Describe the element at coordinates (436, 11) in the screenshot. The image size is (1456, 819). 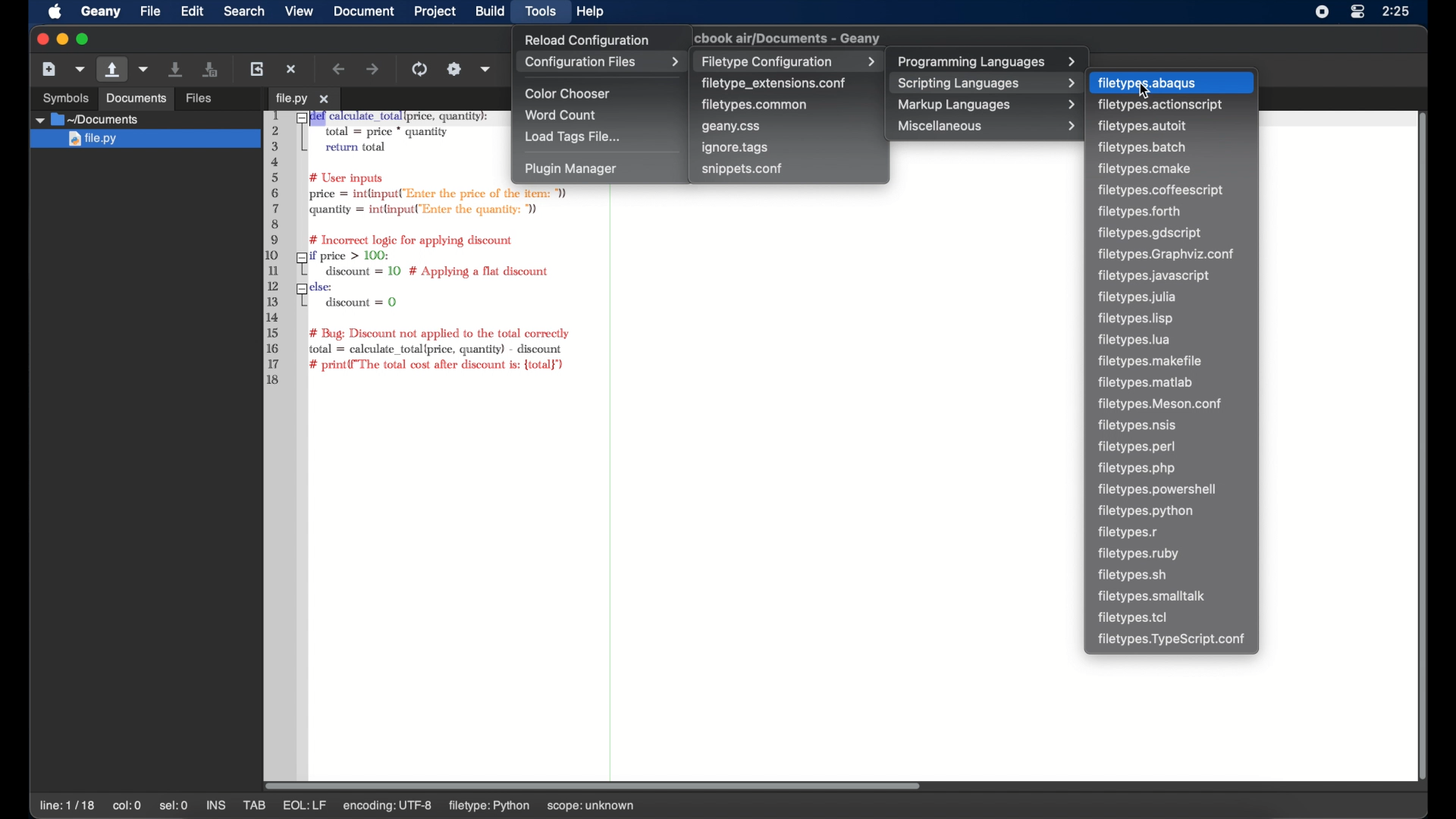
I see `project` at that location.